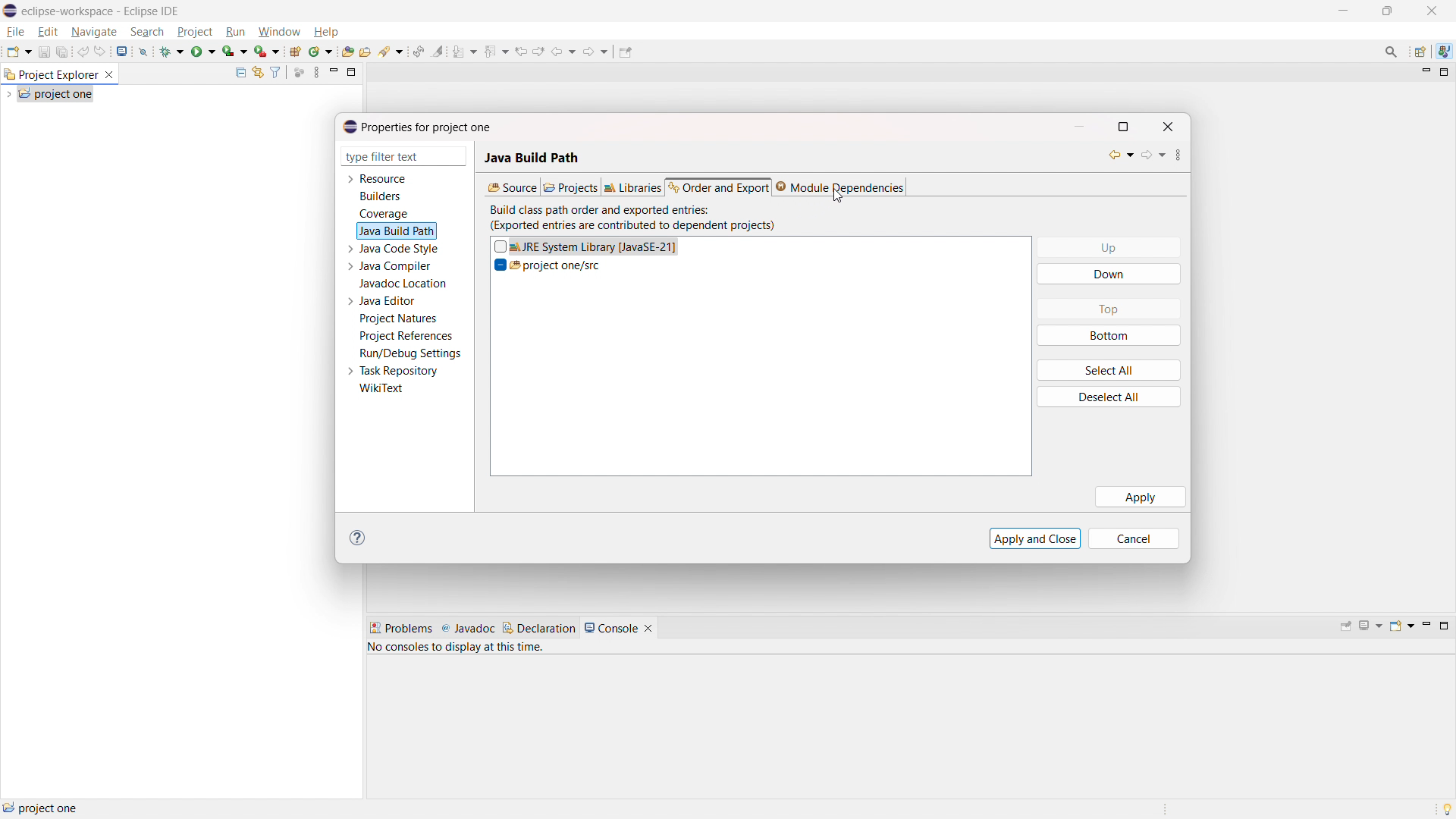  I want to click on up, so click(1111, 247).